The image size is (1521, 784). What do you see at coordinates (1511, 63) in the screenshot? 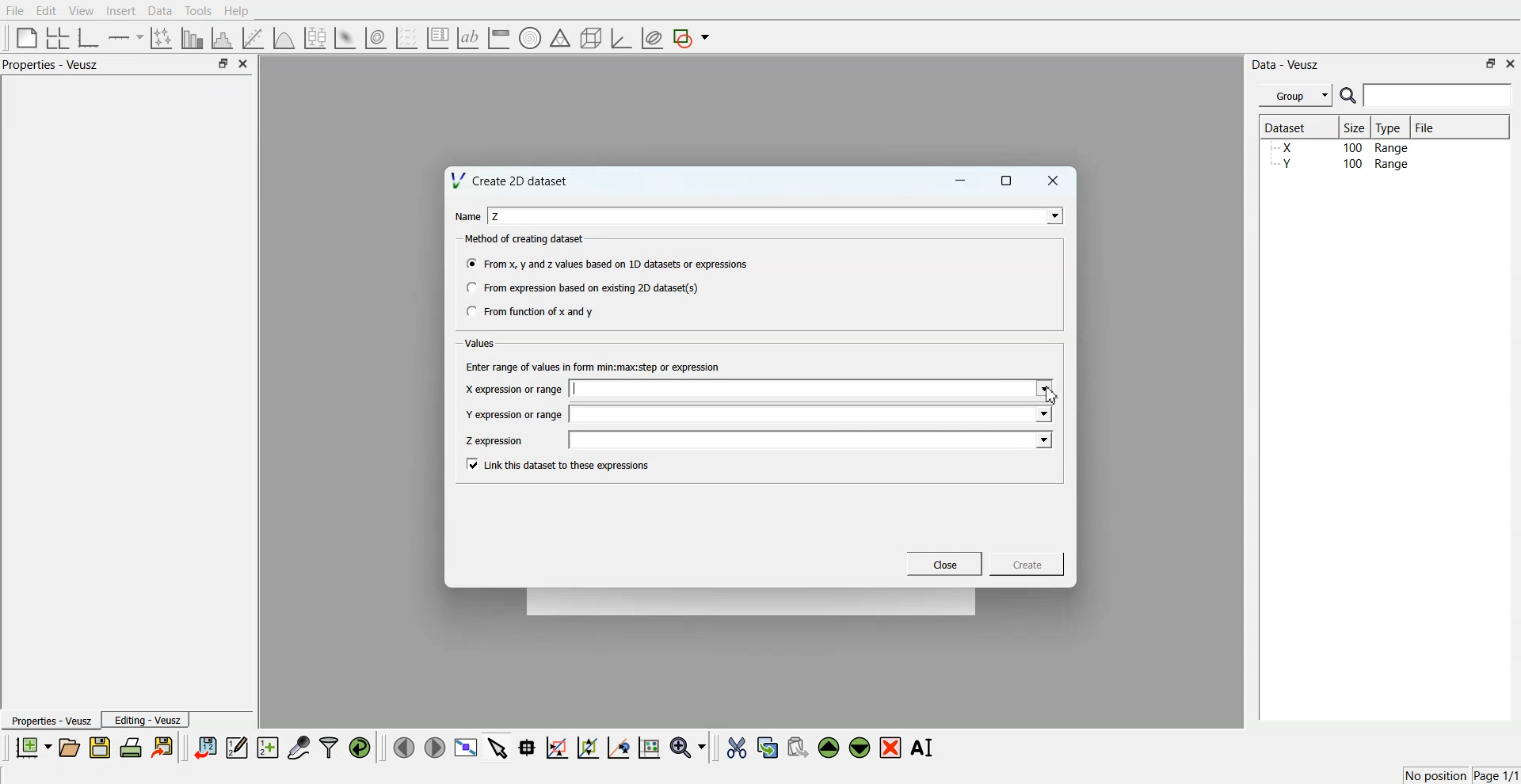
I see `Close` at bounding box center [1511, 63].